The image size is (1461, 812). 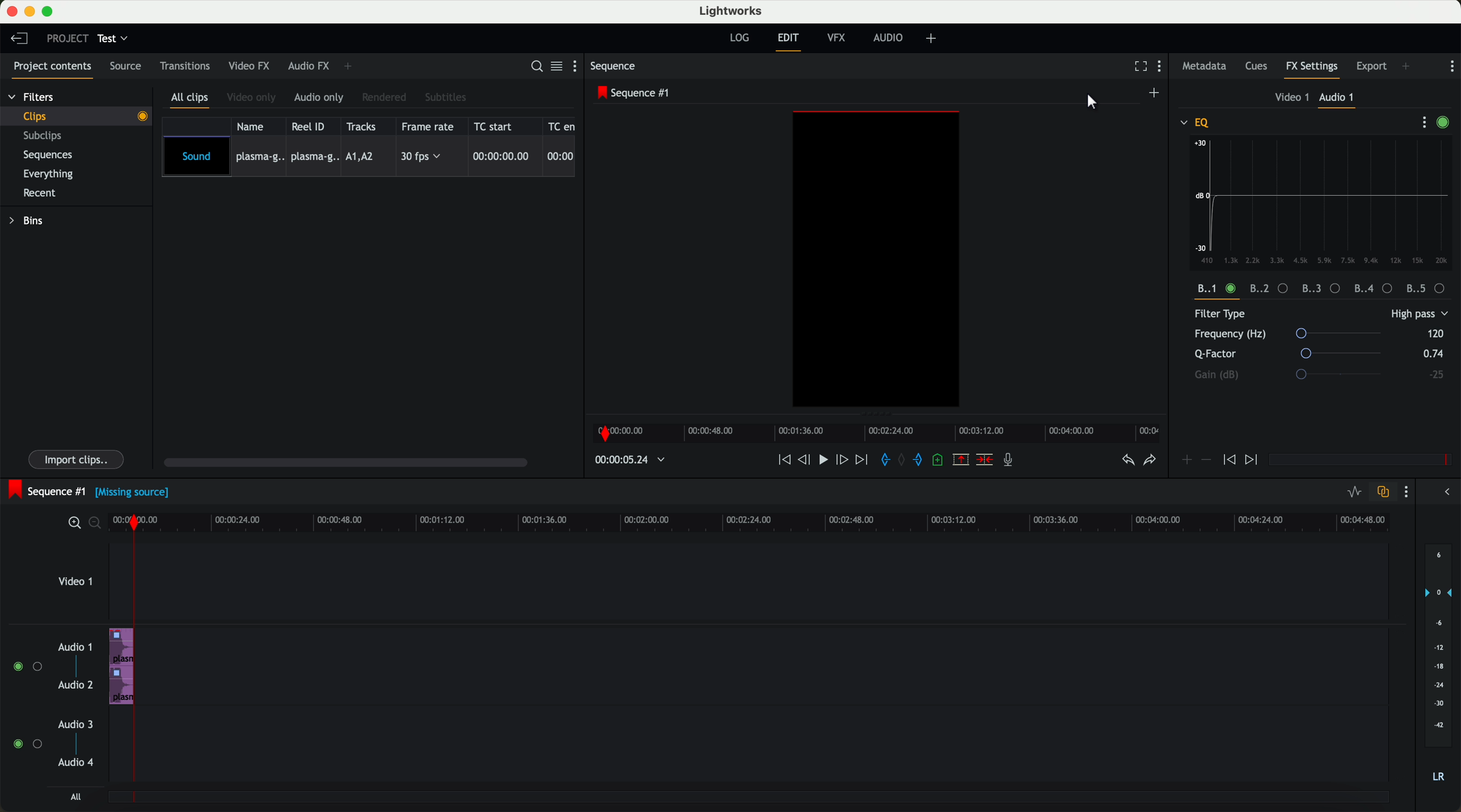 I want to click on workspace, so click(x=876, y=261).